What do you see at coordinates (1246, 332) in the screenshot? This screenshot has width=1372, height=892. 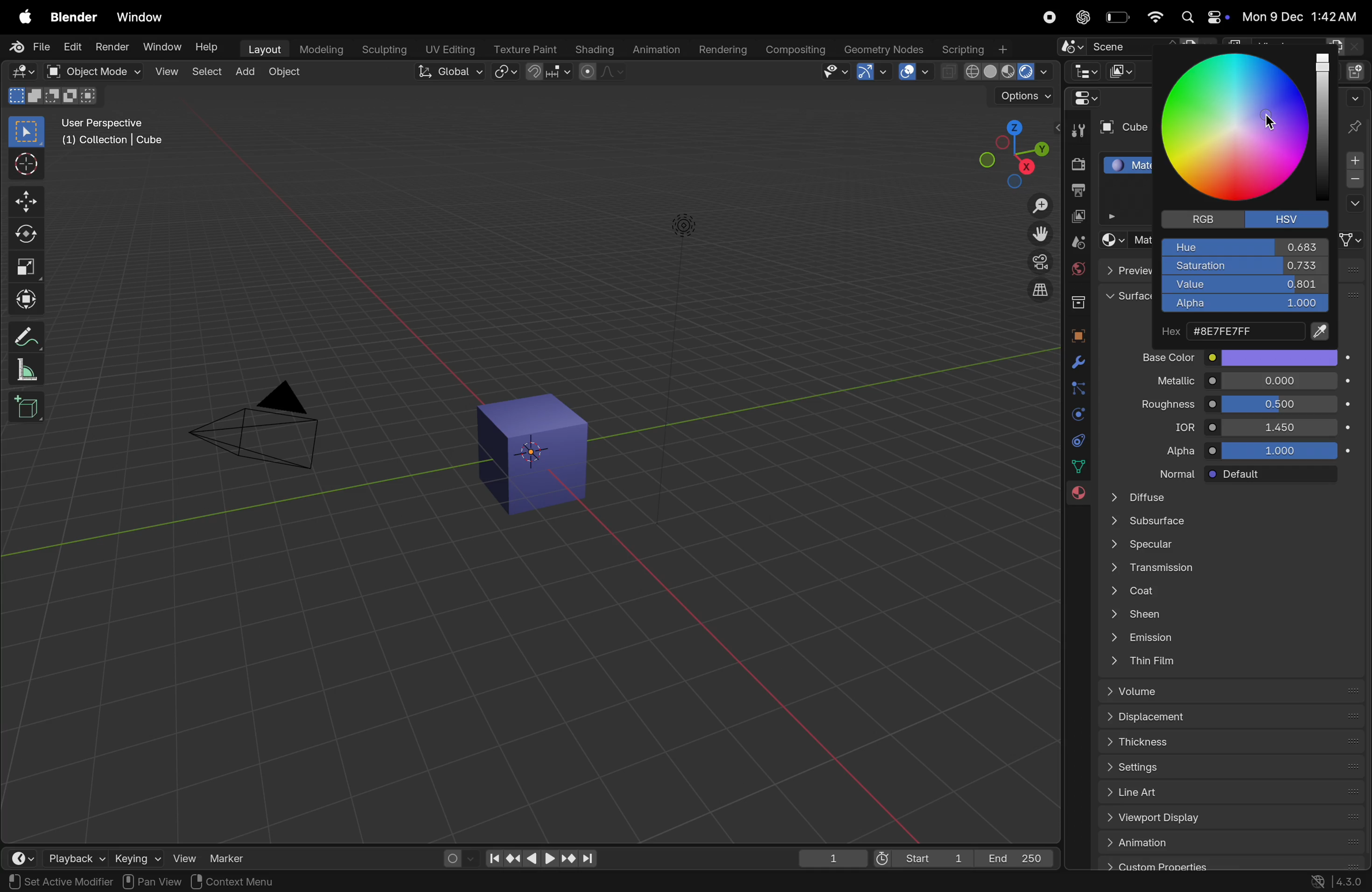 I see `color code` at bounding box center [1246, 332].